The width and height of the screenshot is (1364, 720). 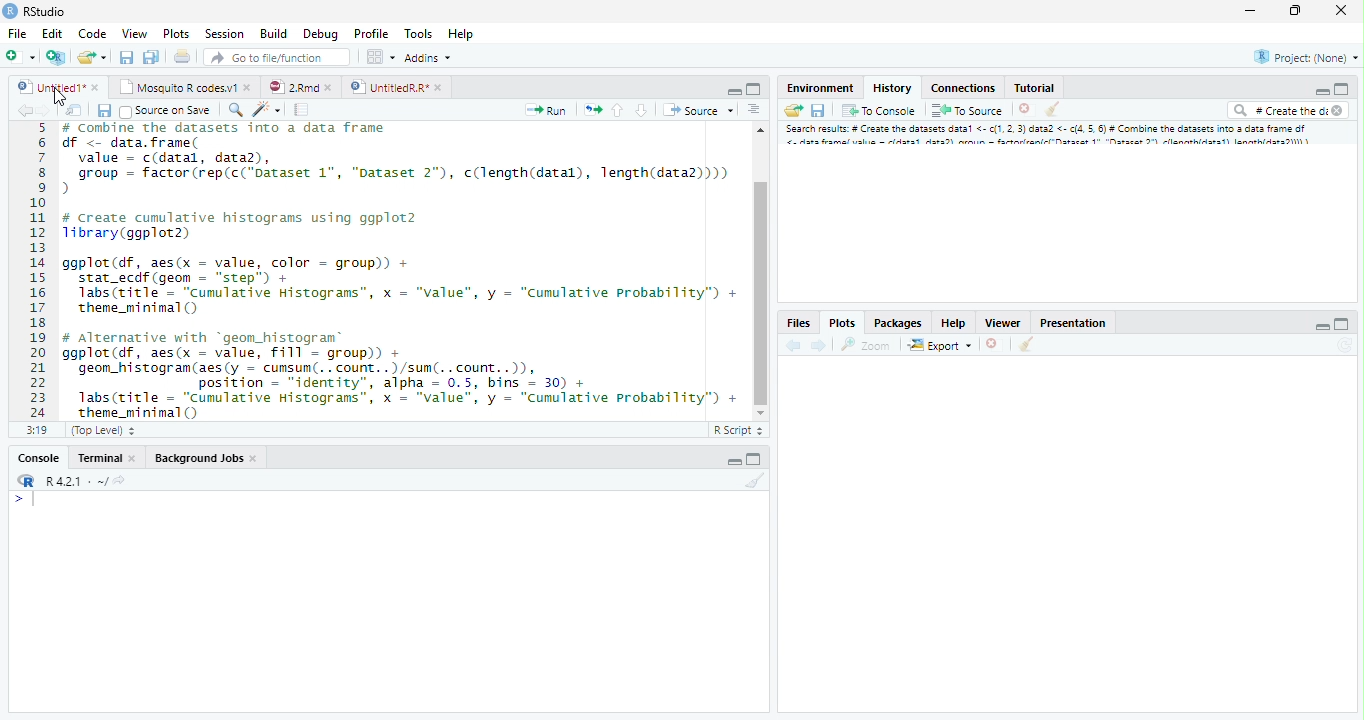 What do you see at coordinates (864, 346) in the screenshot?
I see `Zoom` at bounding box center [864, 346].